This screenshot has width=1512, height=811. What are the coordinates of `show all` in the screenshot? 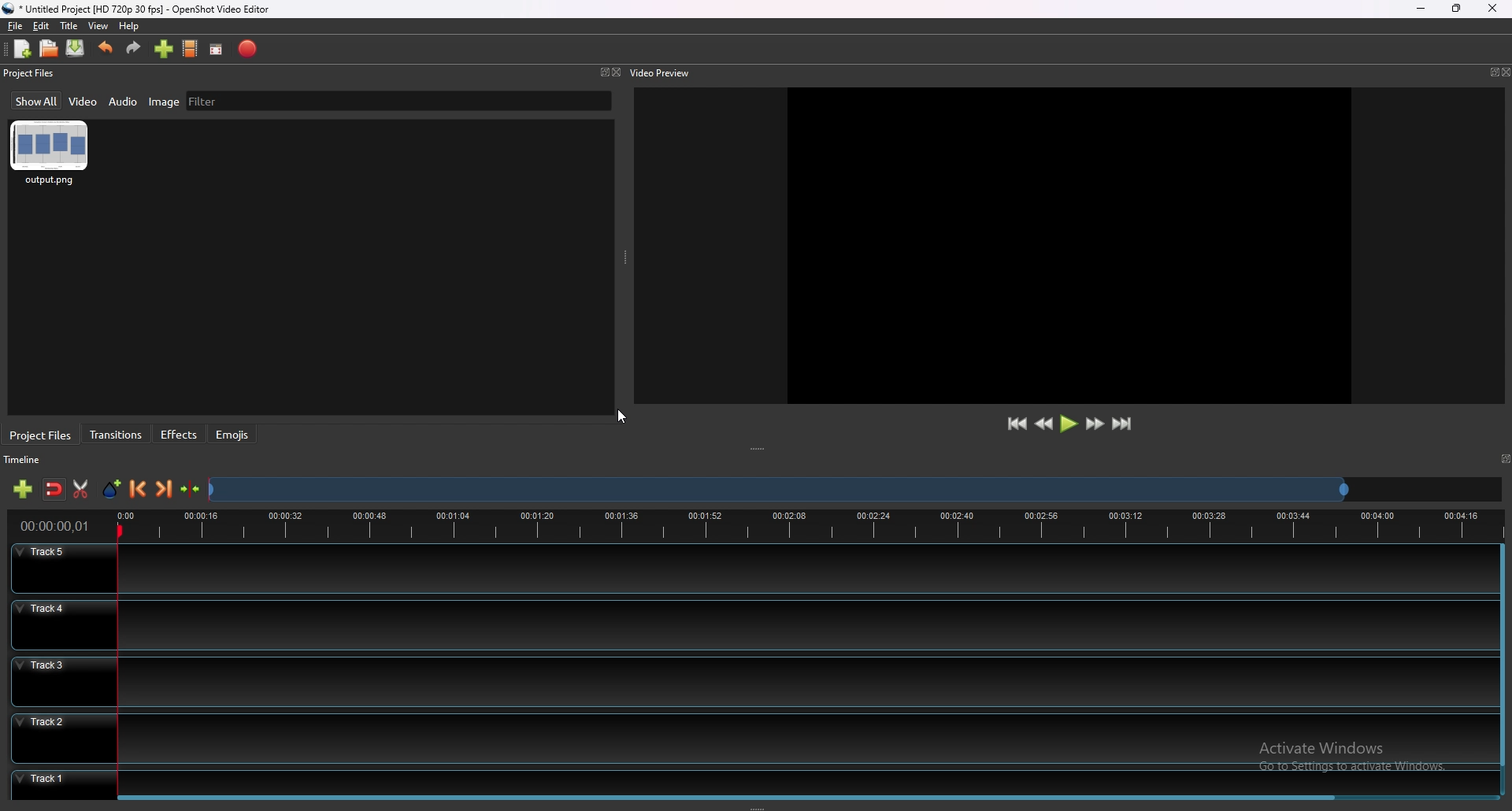 It's located at (38, 100).